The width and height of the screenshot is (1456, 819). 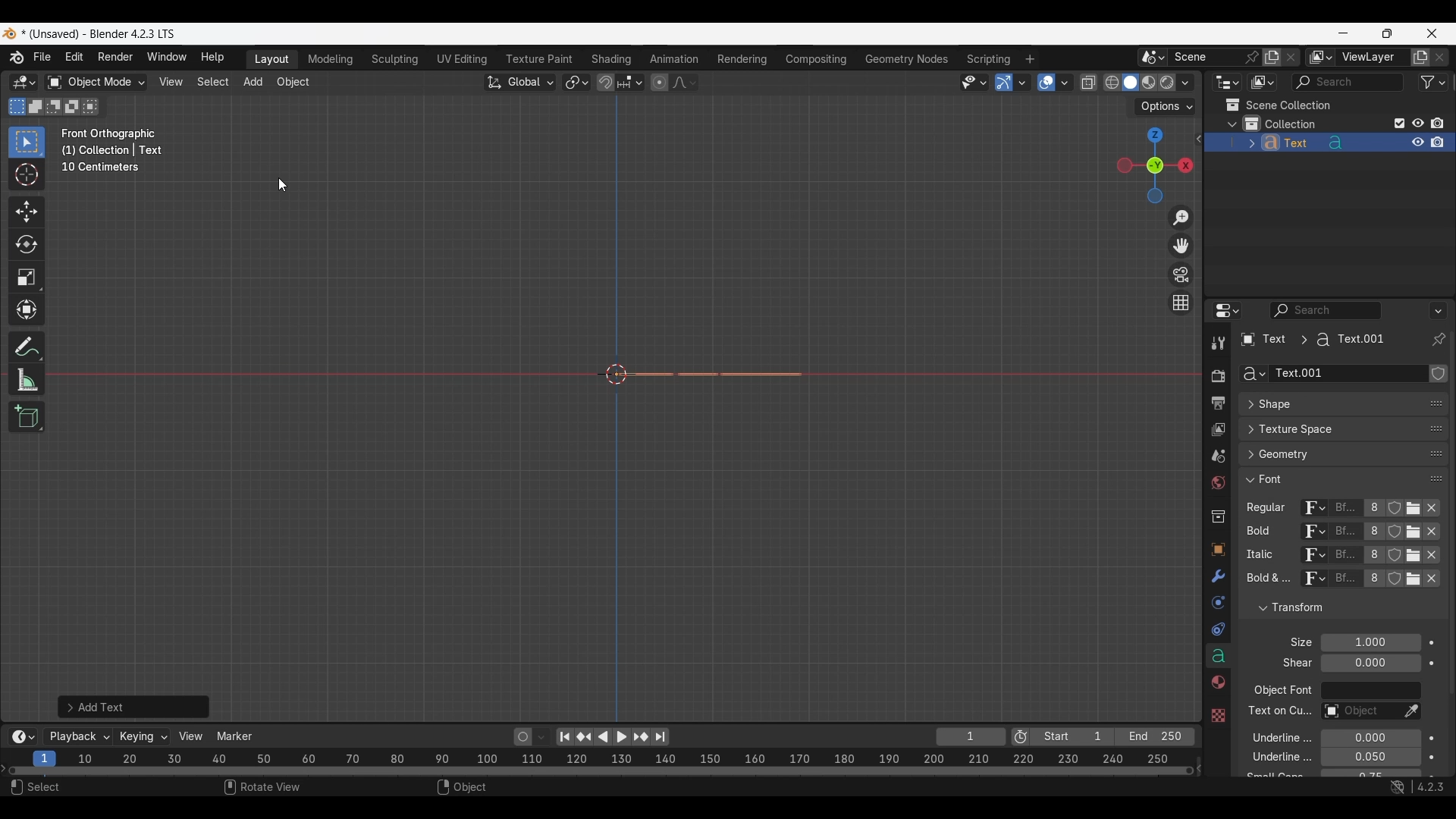 I want to click on File menu, so click(x=43, y=58).